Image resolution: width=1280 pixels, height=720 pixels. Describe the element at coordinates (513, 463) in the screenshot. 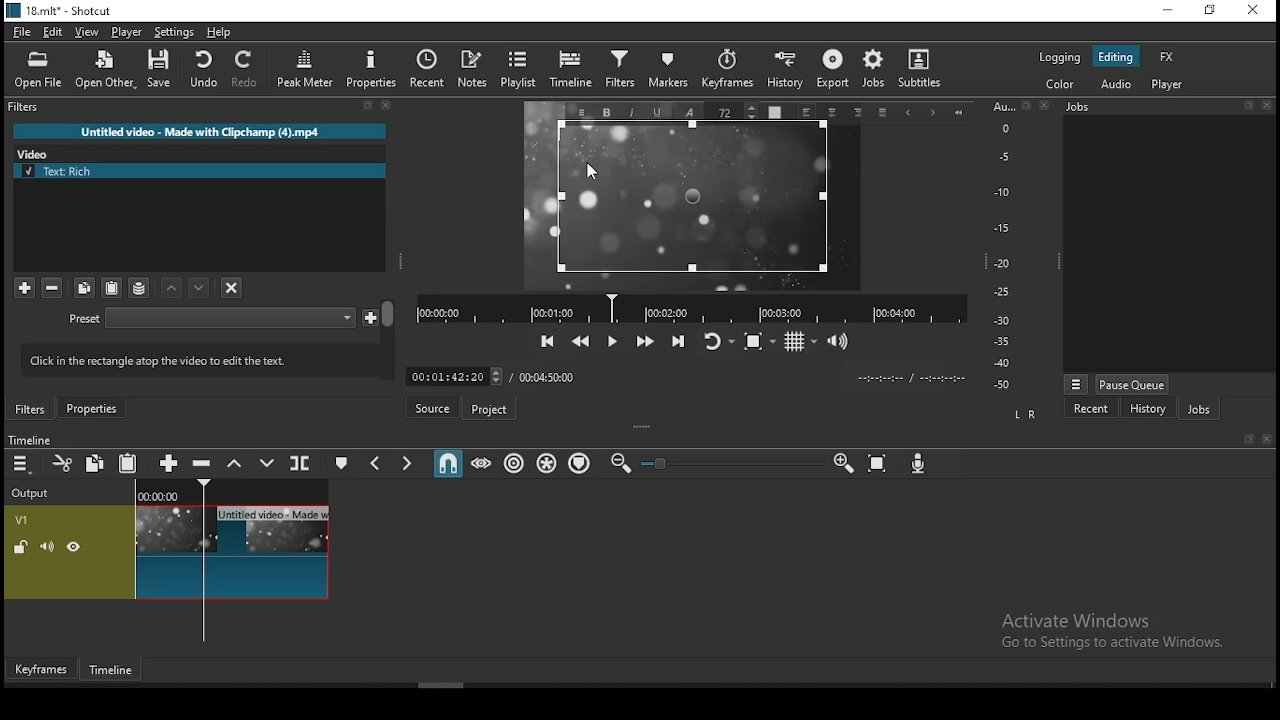

I see `ripple` at that location.